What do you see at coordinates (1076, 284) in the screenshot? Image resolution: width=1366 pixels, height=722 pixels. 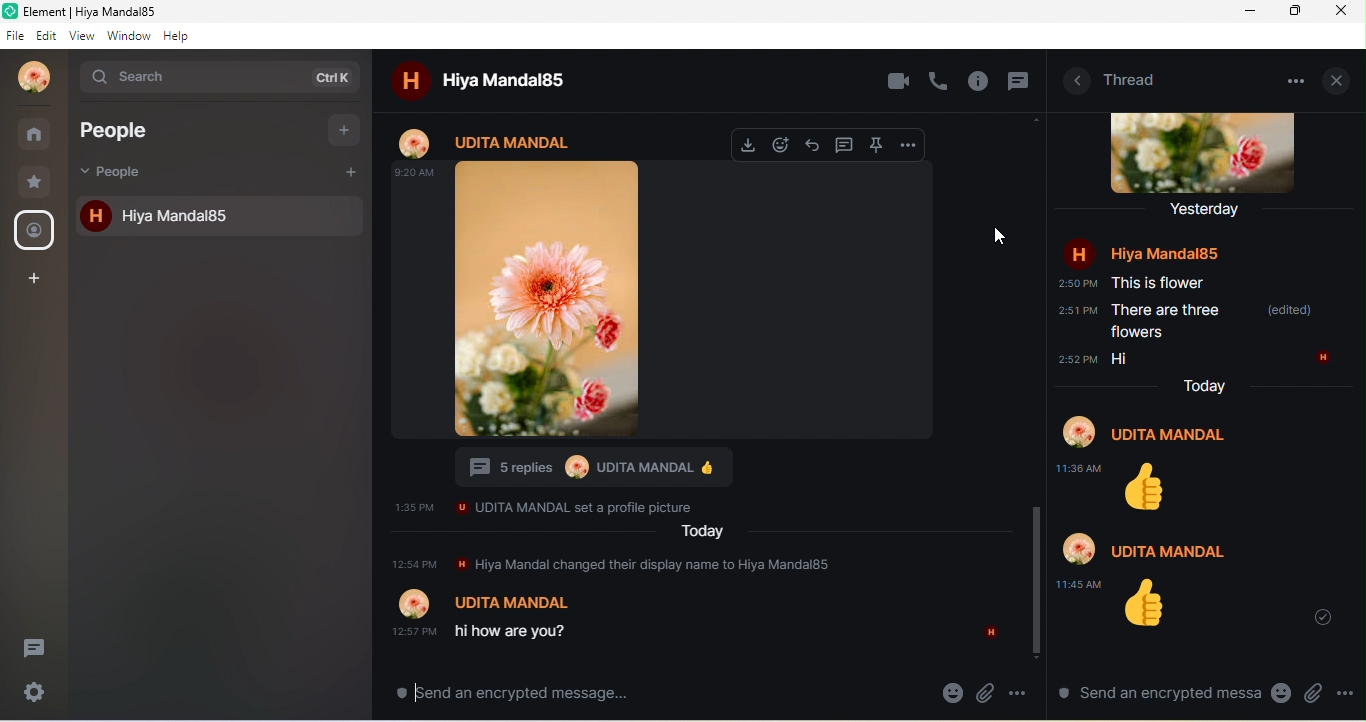 I see `2:50 PM` at bounding box center [1076, 284].